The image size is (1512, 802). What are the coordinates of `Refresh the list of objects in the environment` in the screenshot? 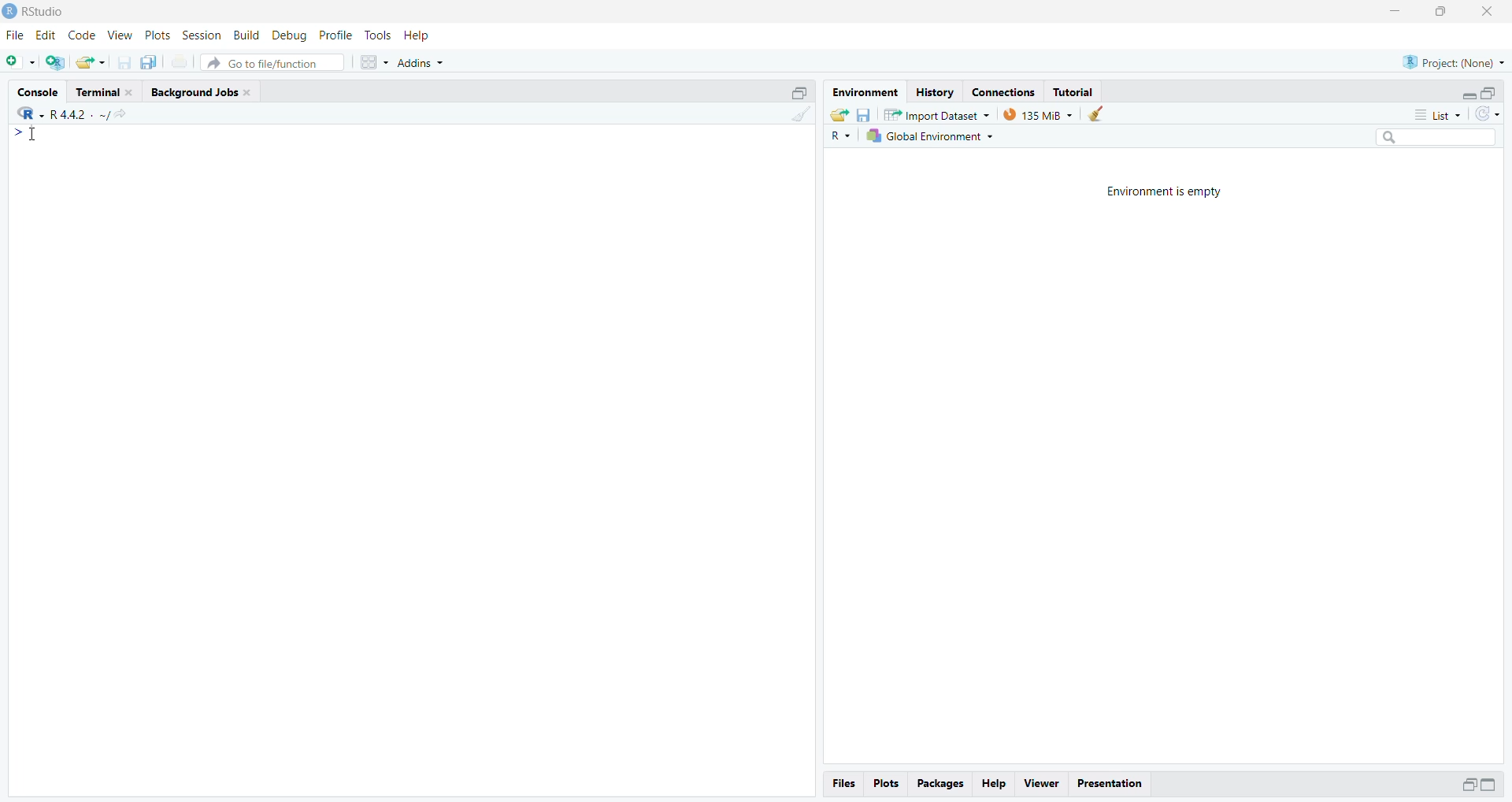 It's located at (1488, 115).